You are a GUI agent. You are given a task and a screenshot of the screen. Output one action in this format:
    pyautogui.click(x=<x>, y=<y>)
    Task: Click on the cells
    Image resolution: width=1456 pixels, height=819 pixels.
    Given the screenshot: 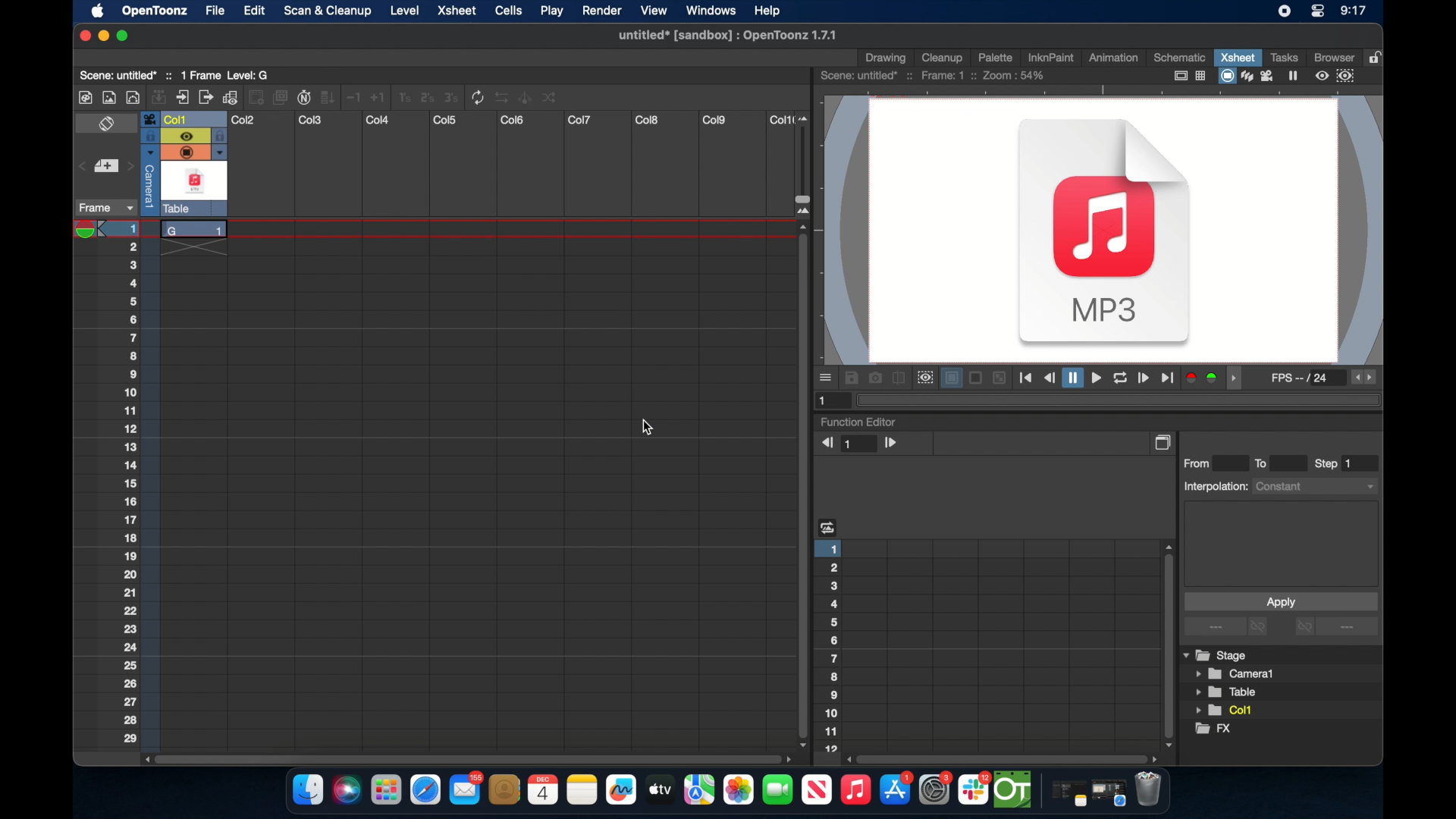 What is the action you would take?
    pyautogui.click(x=508, y=11)
    